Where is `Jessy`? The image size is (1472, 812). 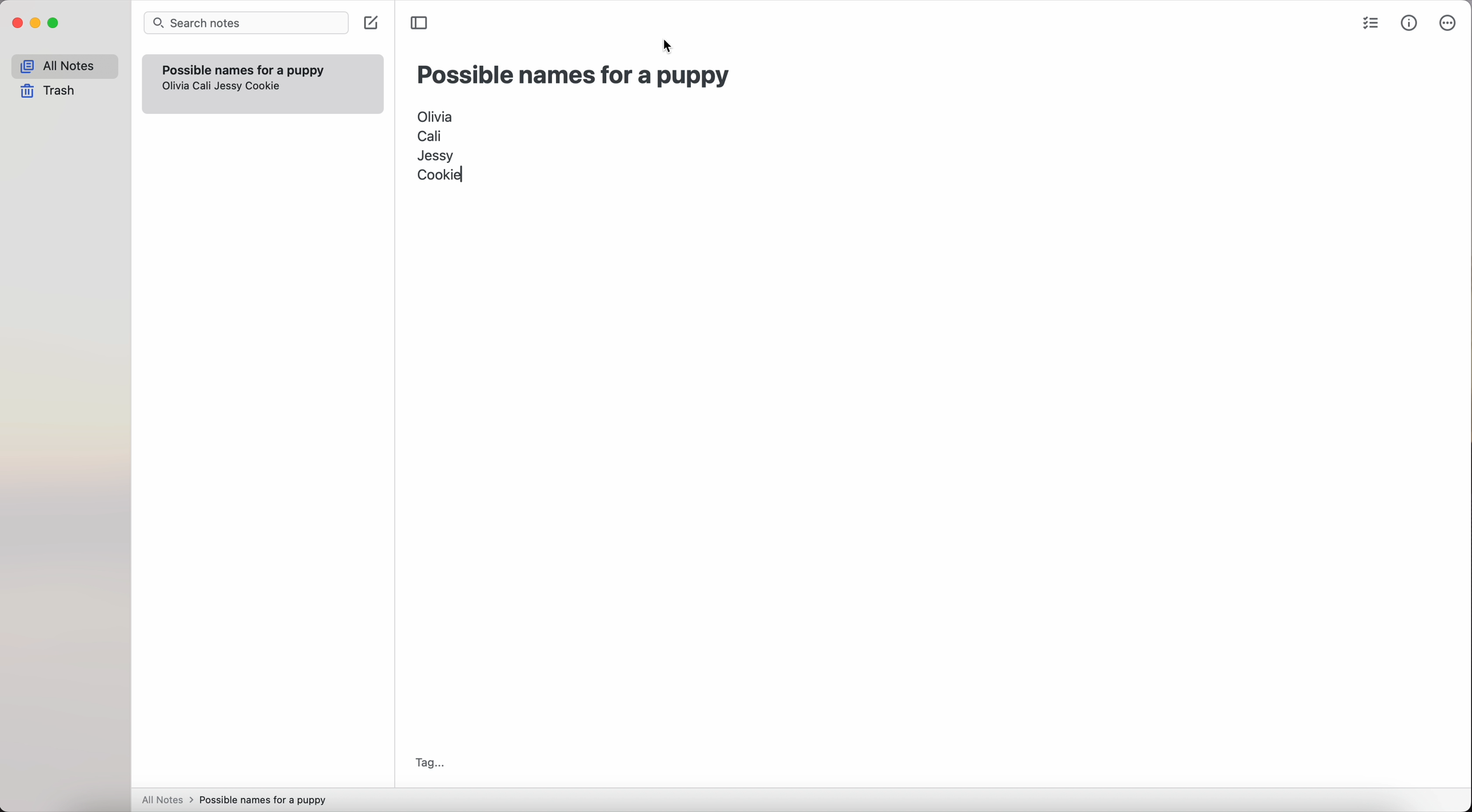
Jessy is located at coordinates (232, 86).